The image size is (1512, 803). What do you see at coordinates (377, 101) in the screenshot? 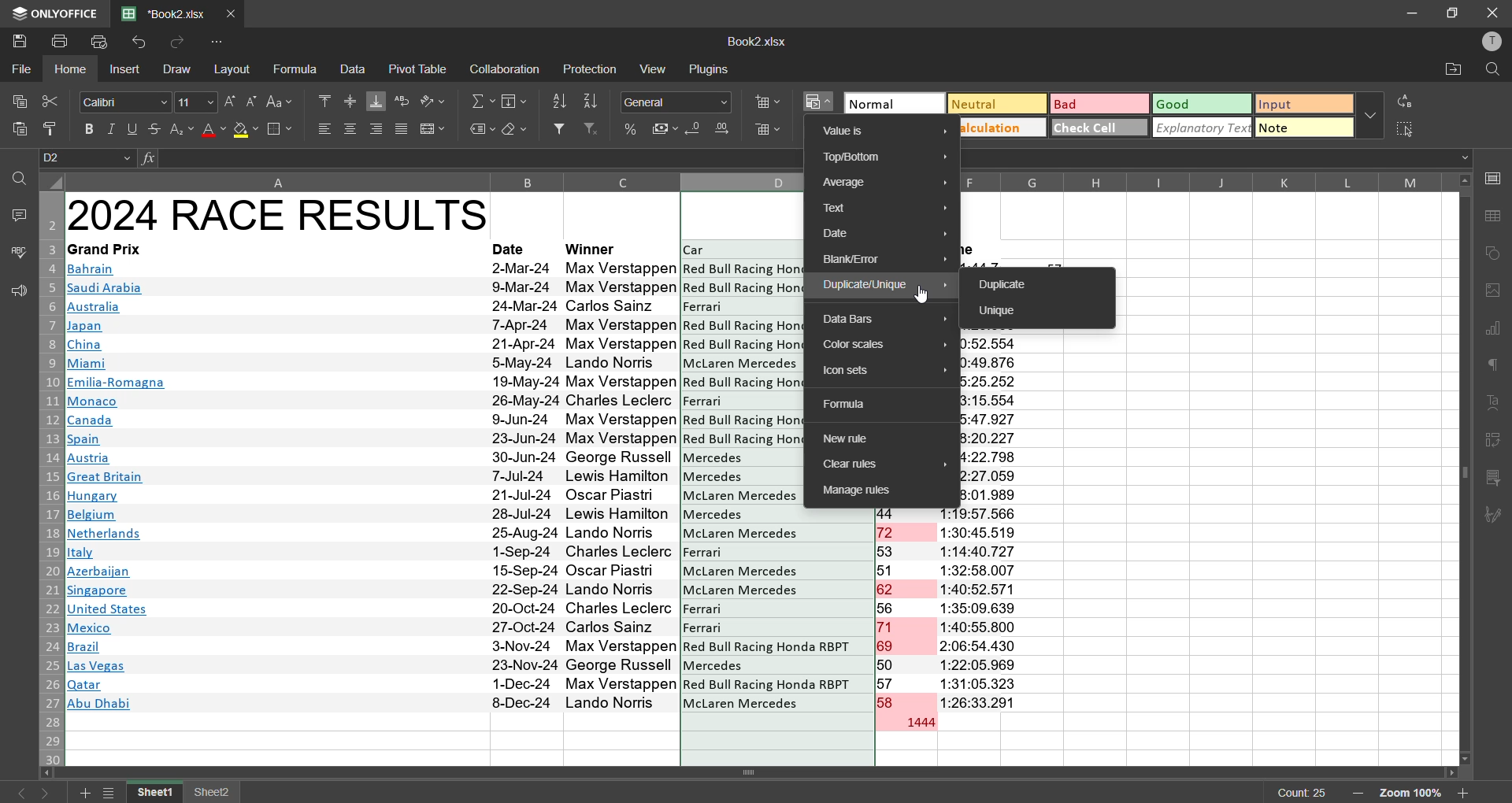
I see `align bottom` at bounding box center [377, 101].